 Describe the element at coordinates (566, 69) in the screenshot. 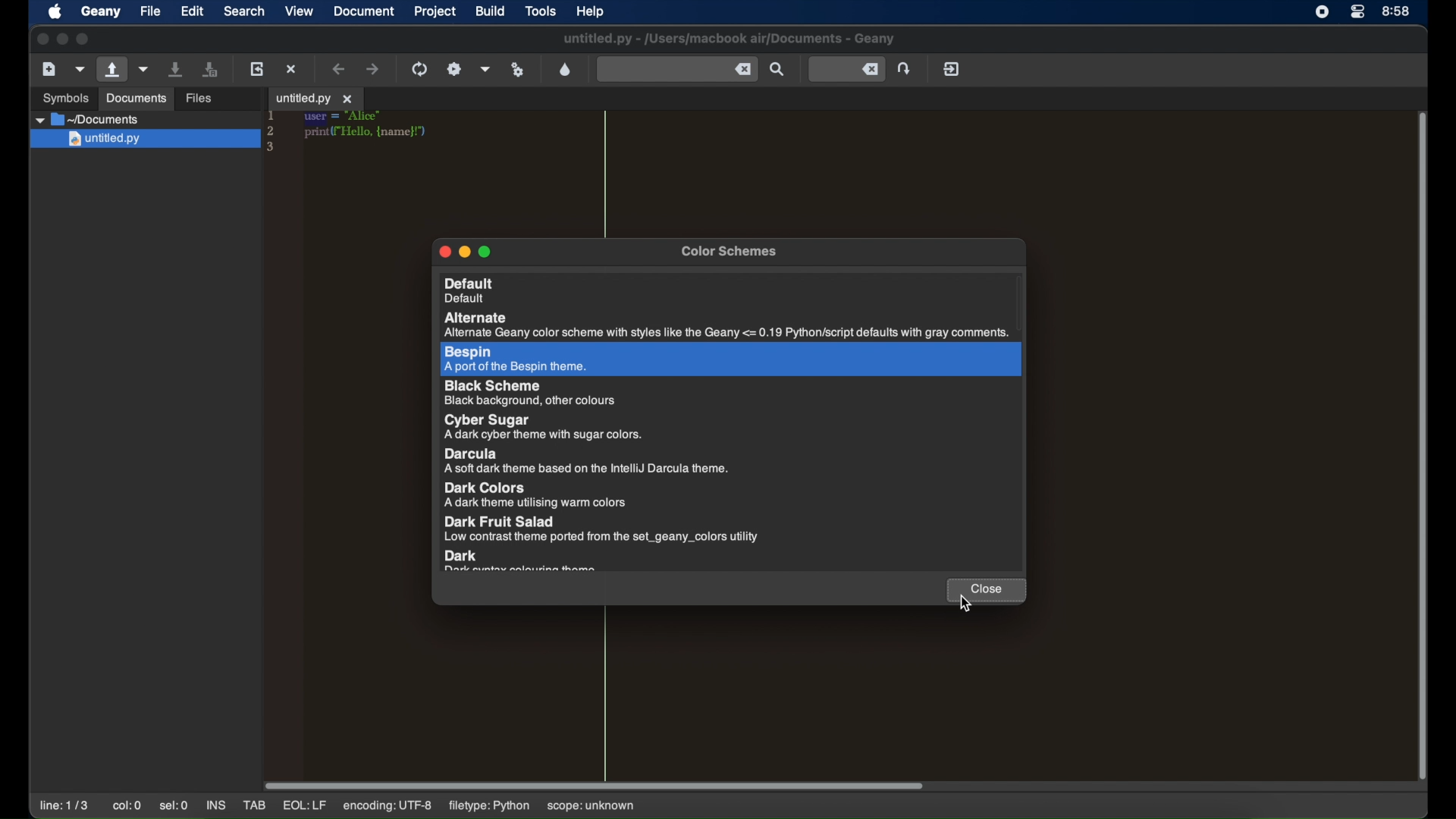

I see `open color chooser dialog` at that location.